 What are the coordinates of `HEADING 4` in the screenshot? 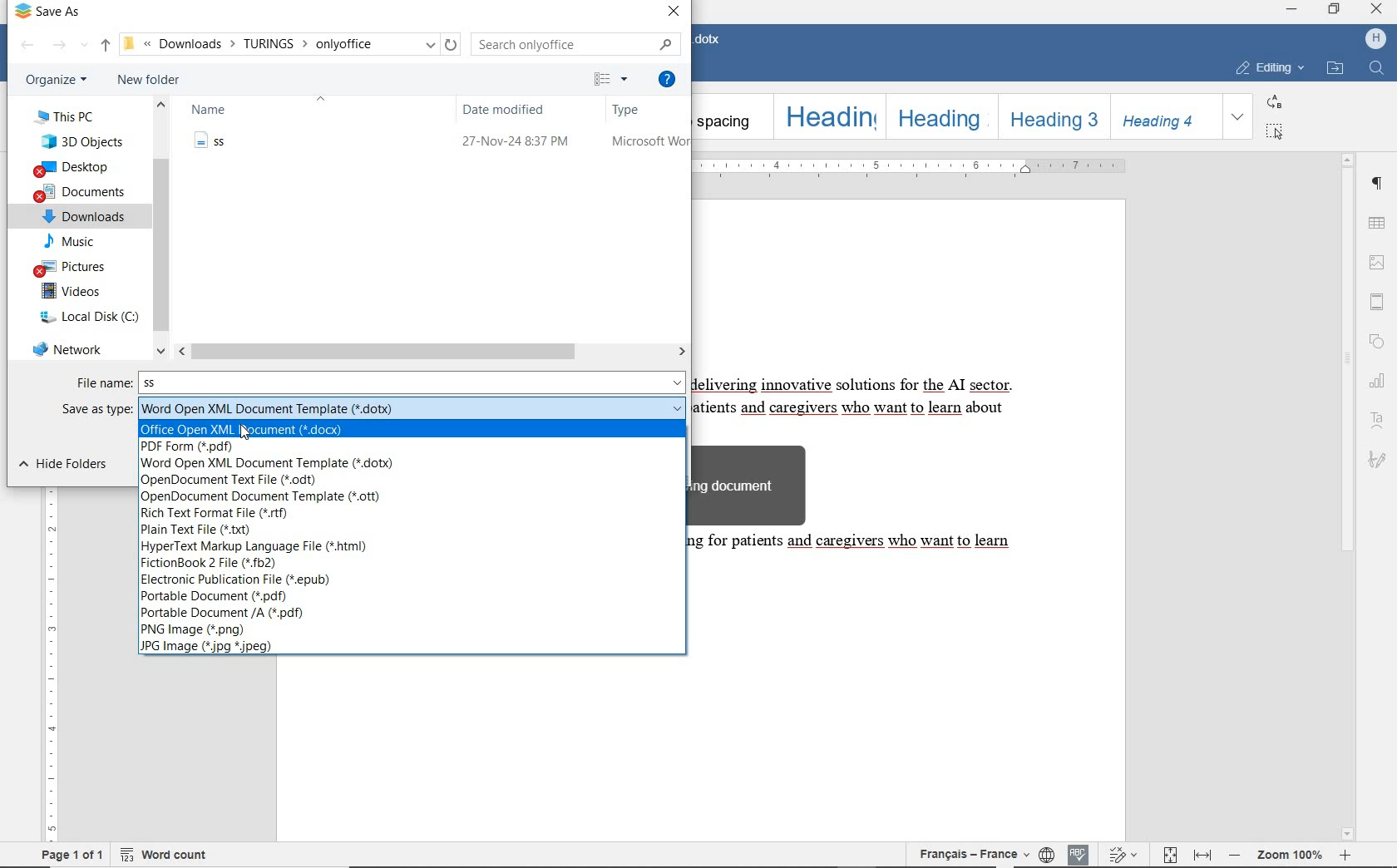 It's located at (1163, 117).